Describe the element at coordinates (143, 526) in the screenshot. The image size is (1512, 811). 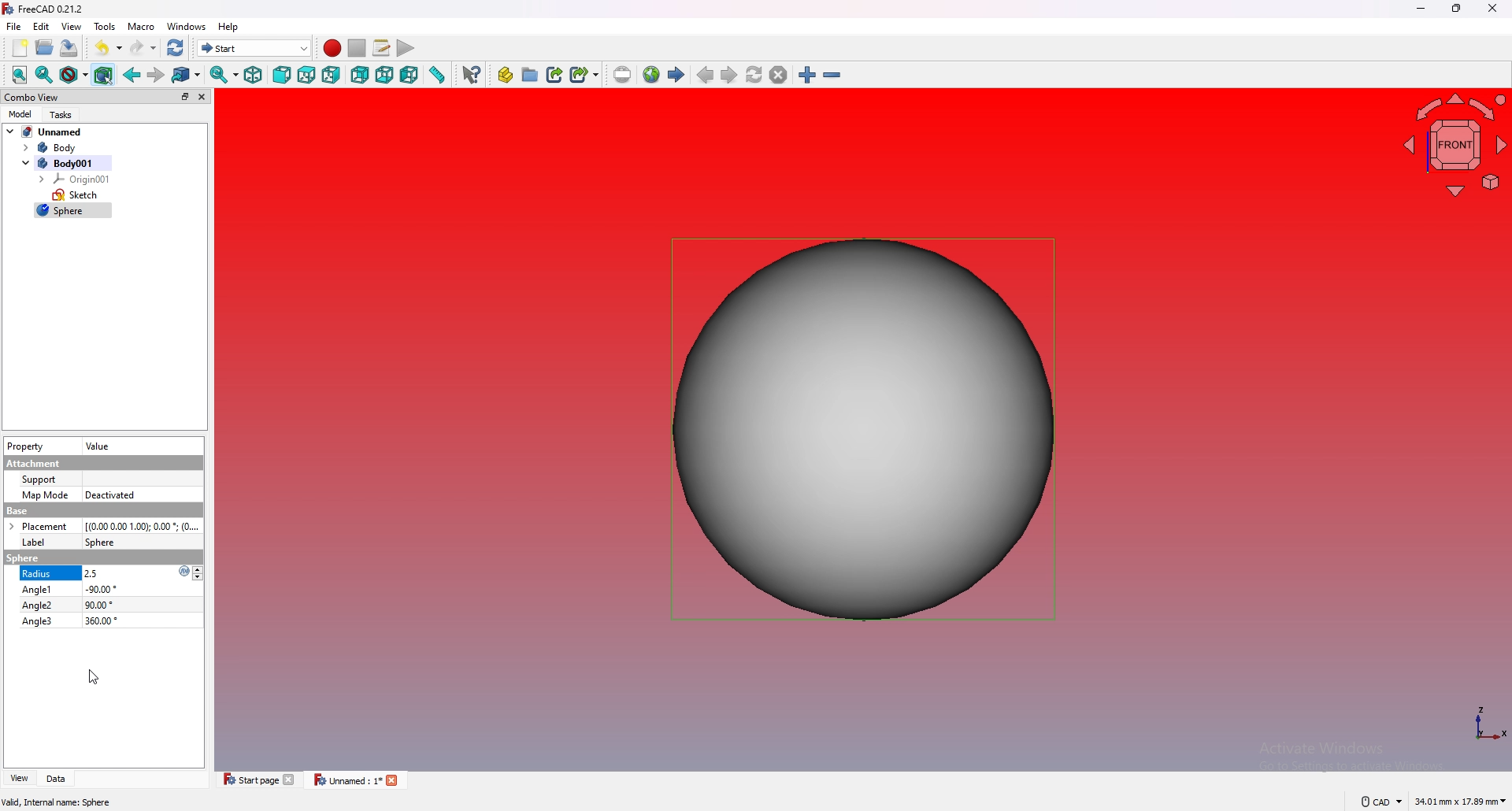
I see `0.00 0.00` at that location.